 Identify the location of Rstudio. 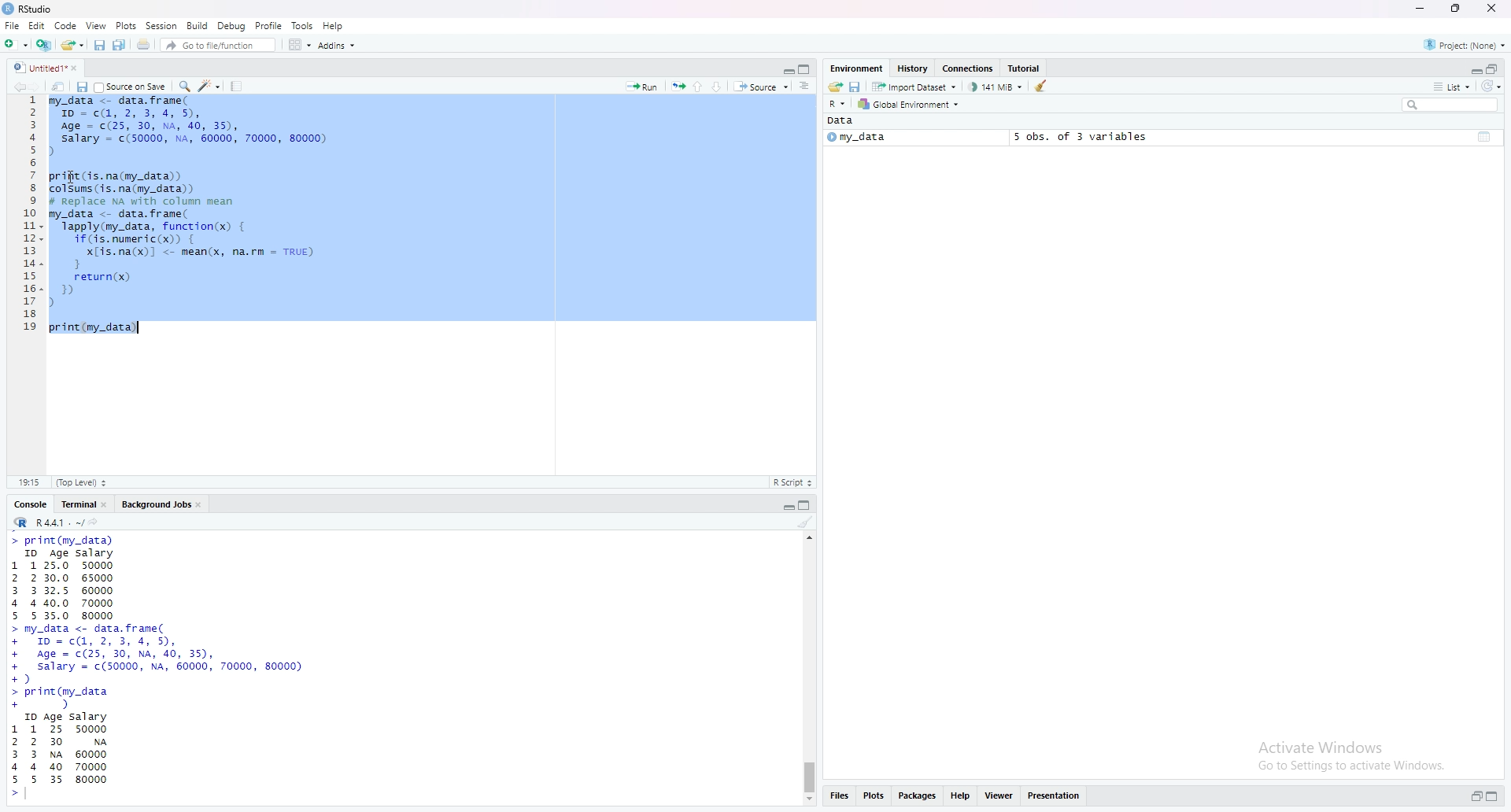
(29, 9).